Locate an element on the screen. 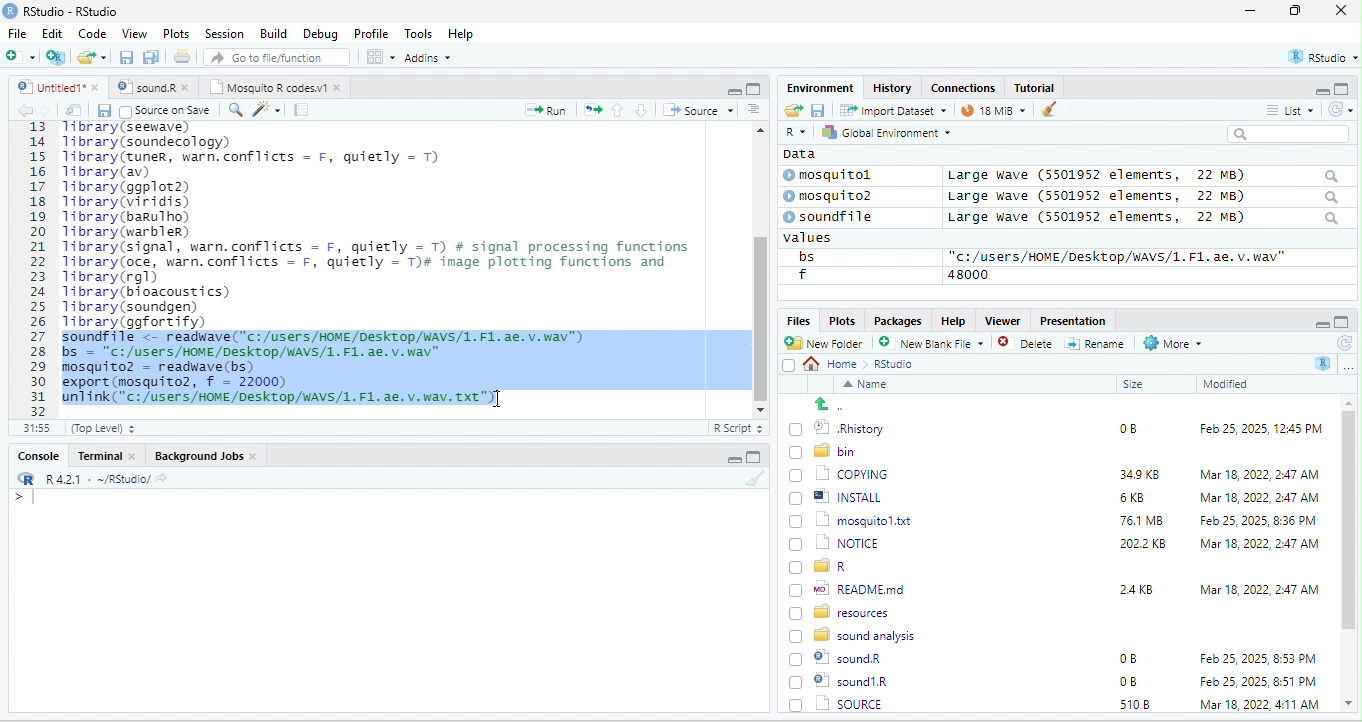  BD resources is located at coordinates (843, 610).